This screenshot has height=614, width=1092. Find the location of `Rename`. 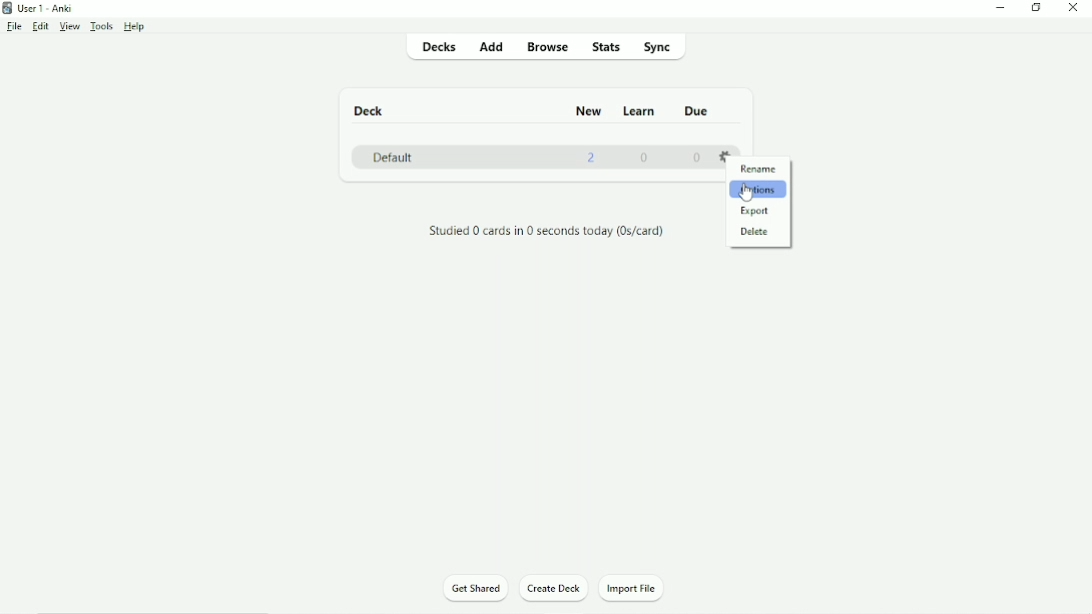

Rename is located at coordinates (762, 170).